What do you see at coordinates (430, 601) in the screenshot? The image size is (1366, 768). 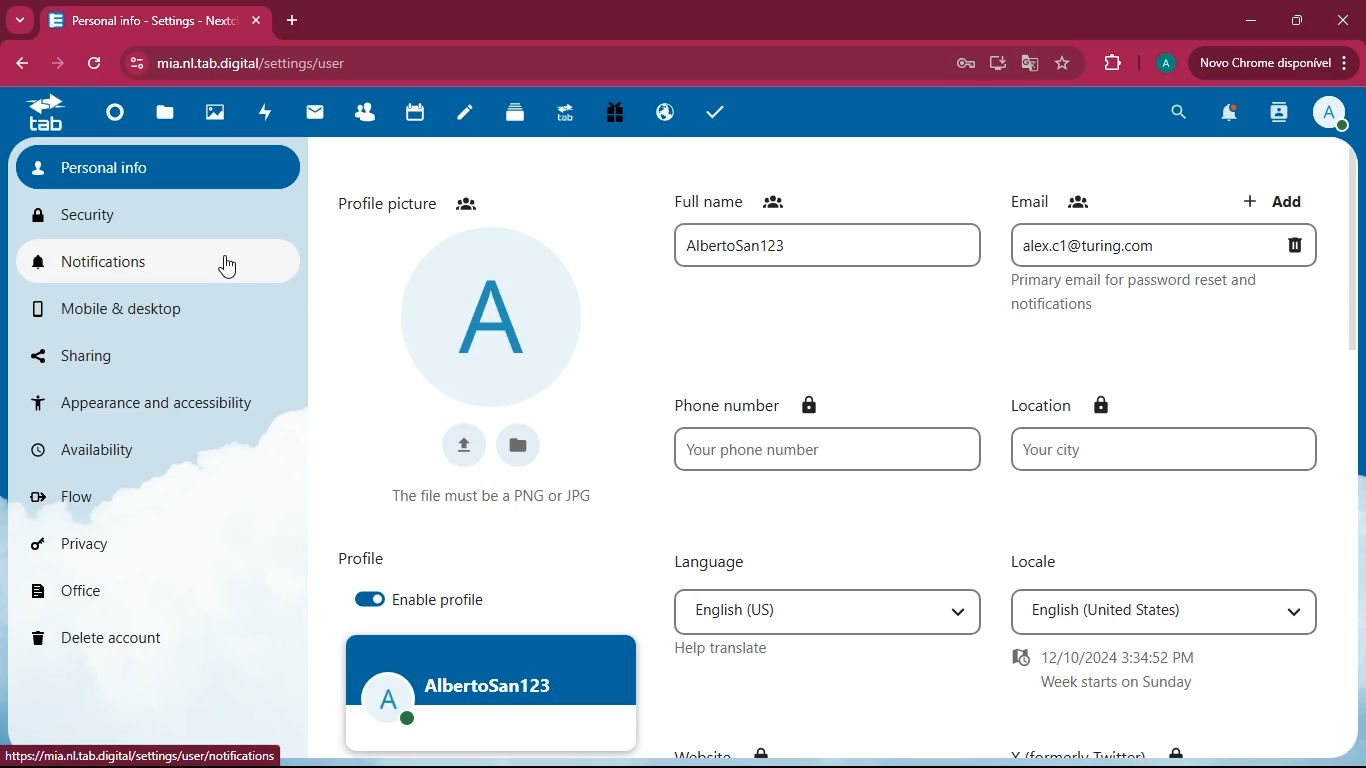 I see `enable` at bounding box center [430, 601].